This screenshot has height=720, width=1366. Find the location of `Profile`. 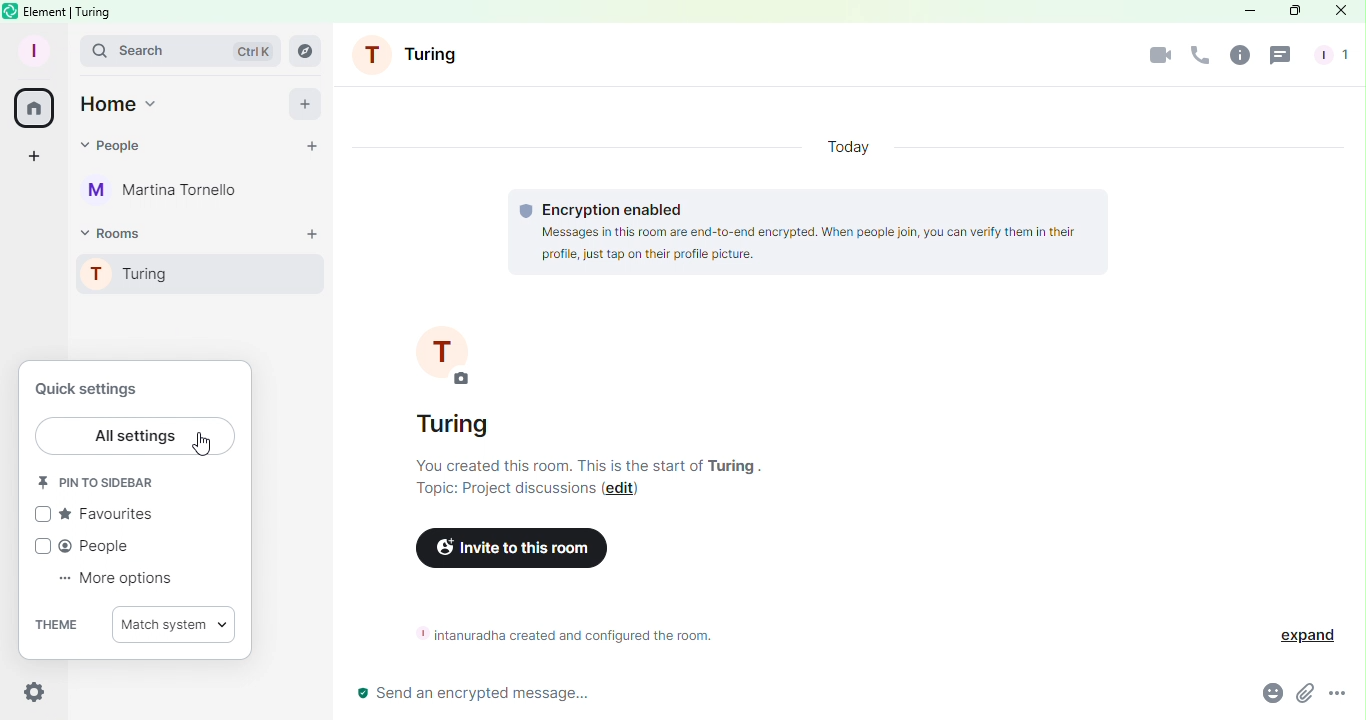

Profile is located at coordinates (32, 51).